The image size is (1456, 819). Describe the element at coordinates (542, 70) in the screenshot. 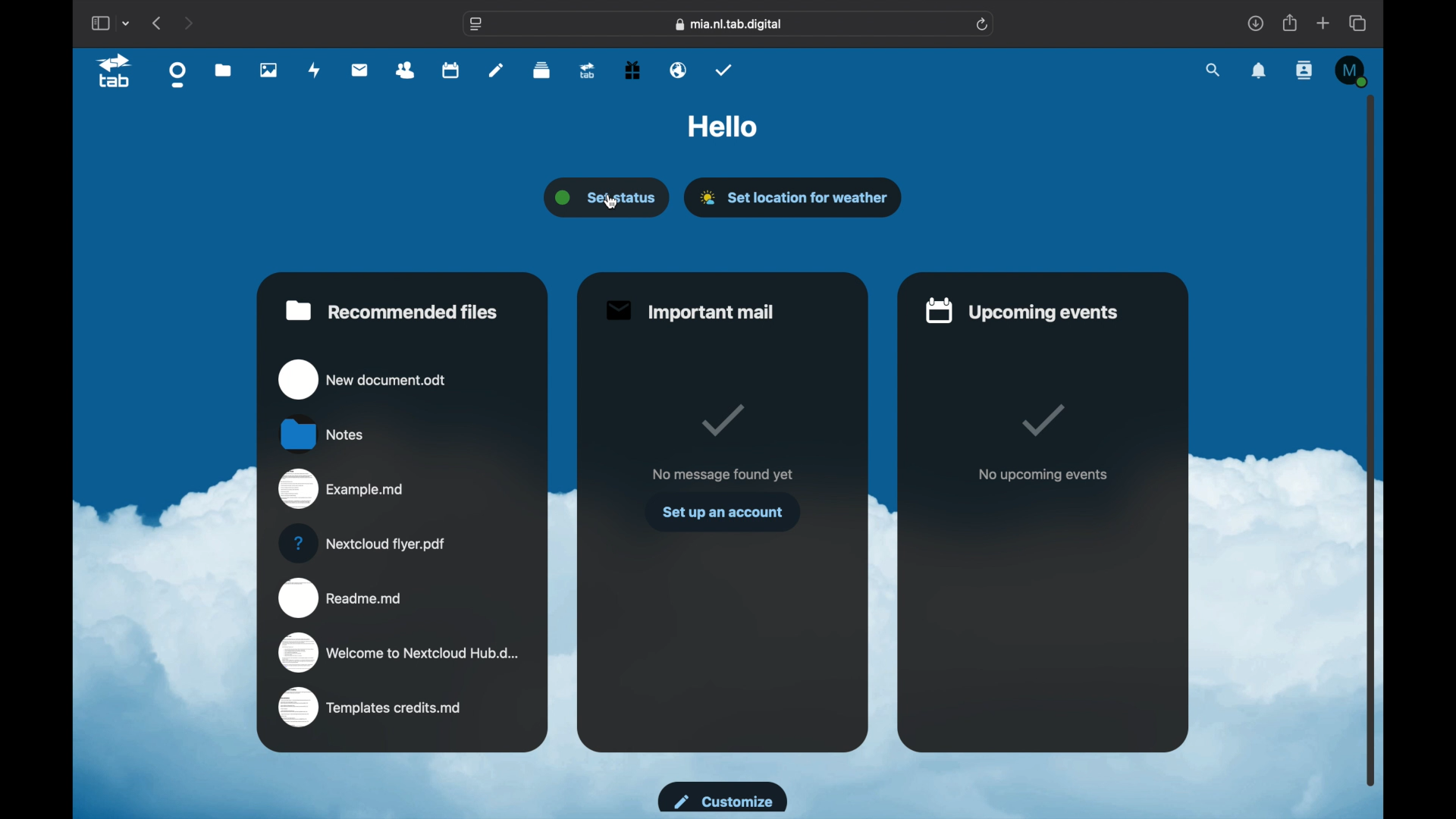

I see `deck` at that location.